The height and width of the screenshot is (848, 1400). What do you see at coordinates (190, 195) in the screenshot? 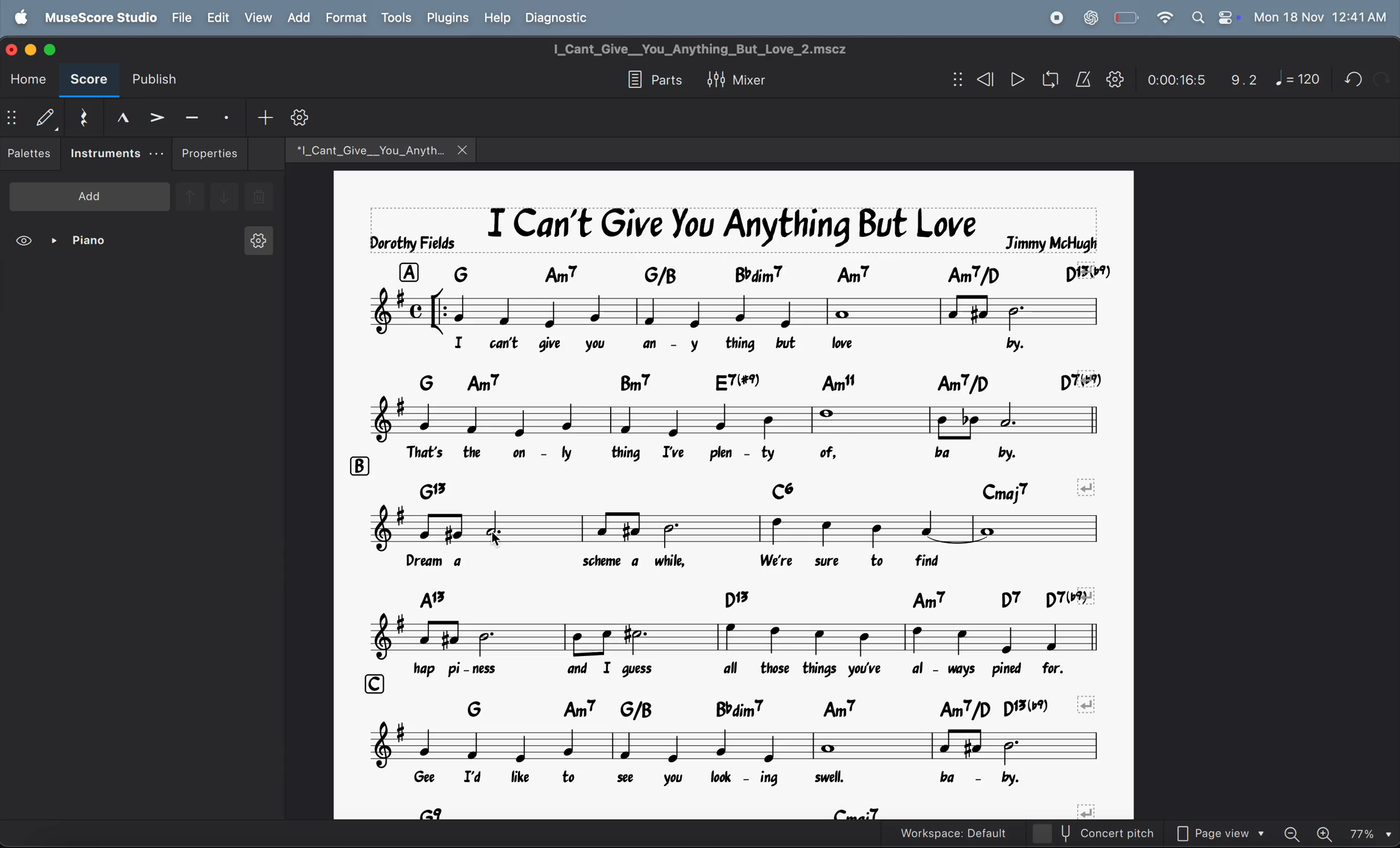
I see `go upward` at bounding box center [190, 195].